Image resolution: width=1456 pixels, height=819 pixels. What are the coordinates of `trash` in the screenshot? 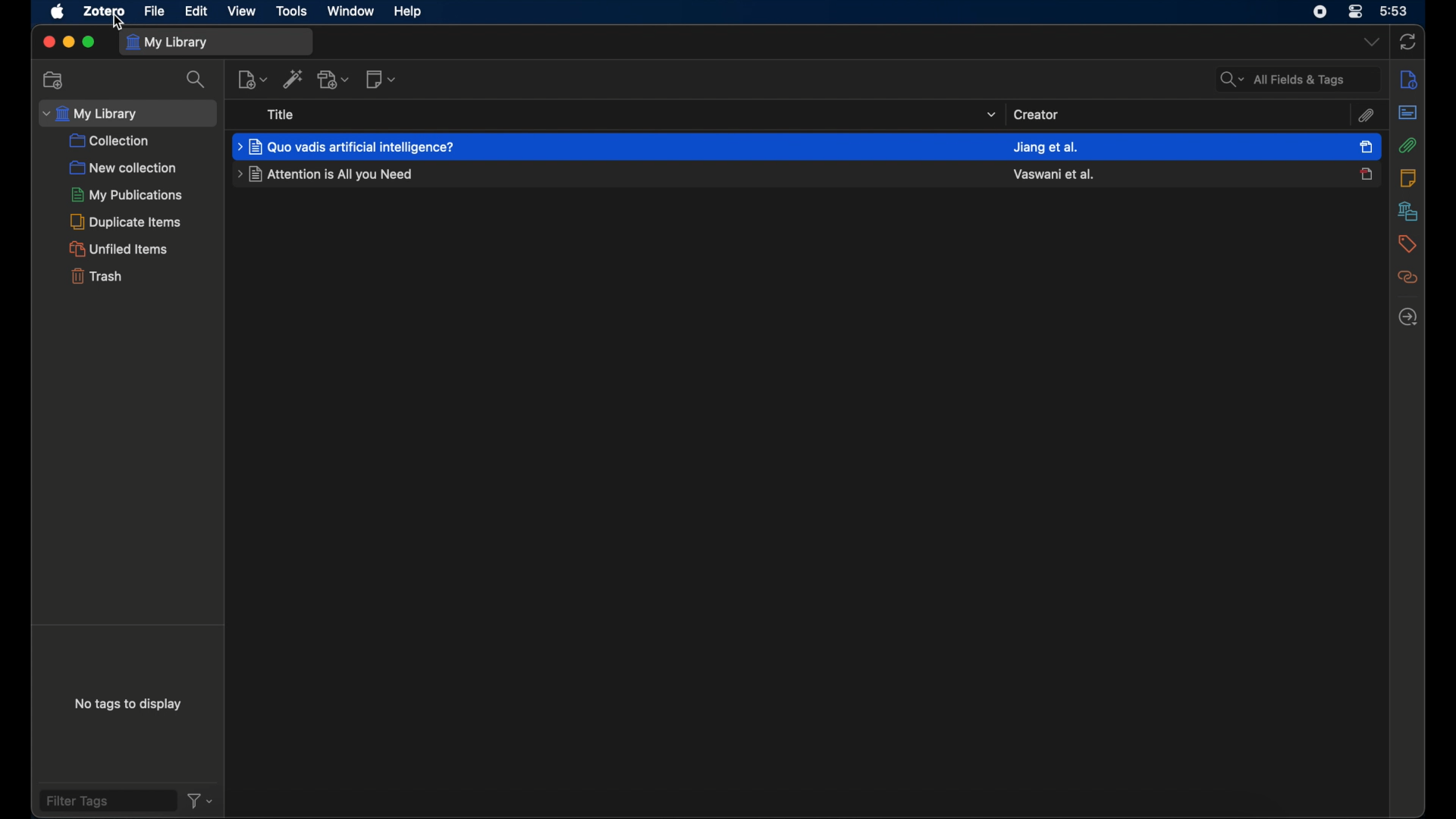 It's located at (97, 276).